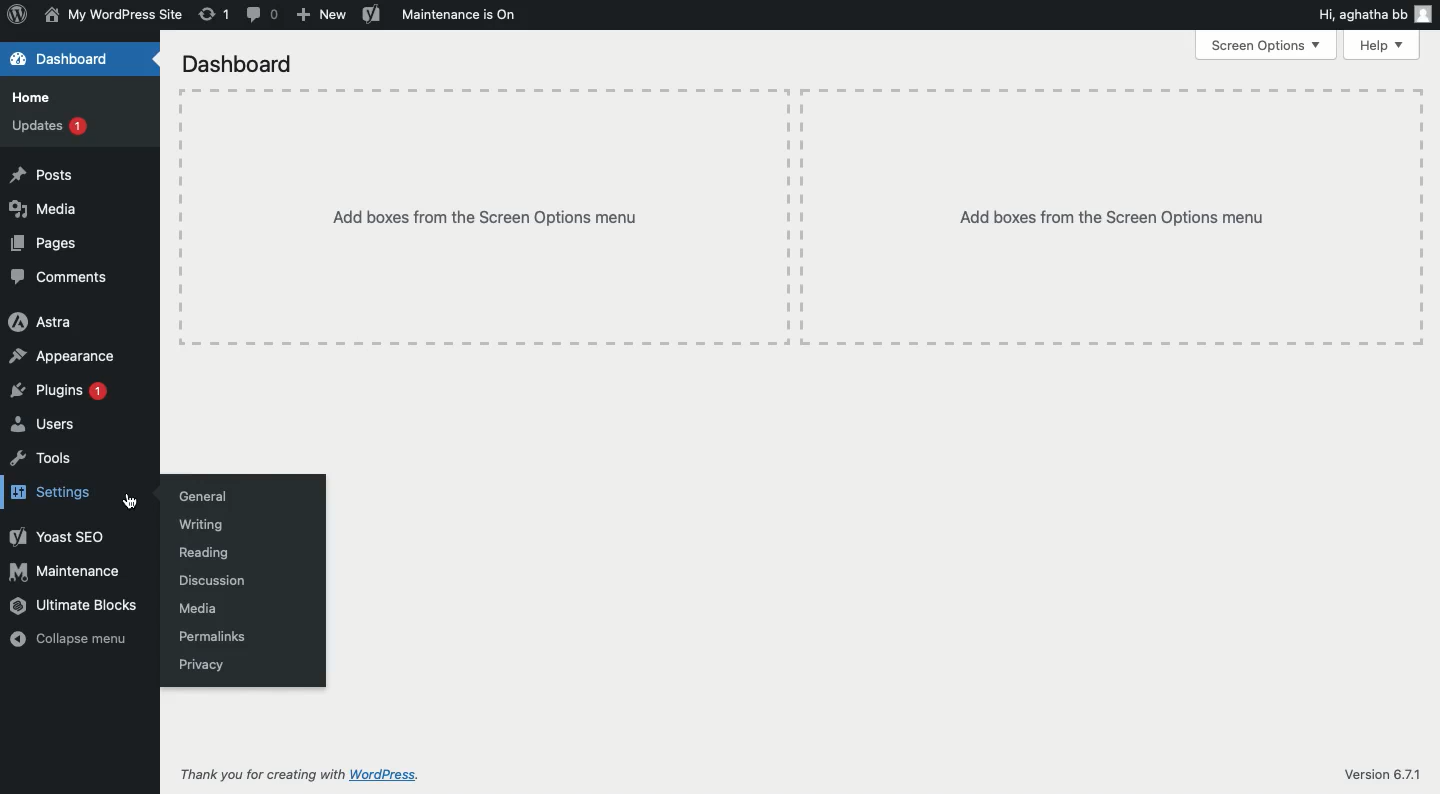 This screenshot has width=1440, height=794. Describe the element at coordinates (66, 357) in the screenshot. I see `Appearance` at that location.